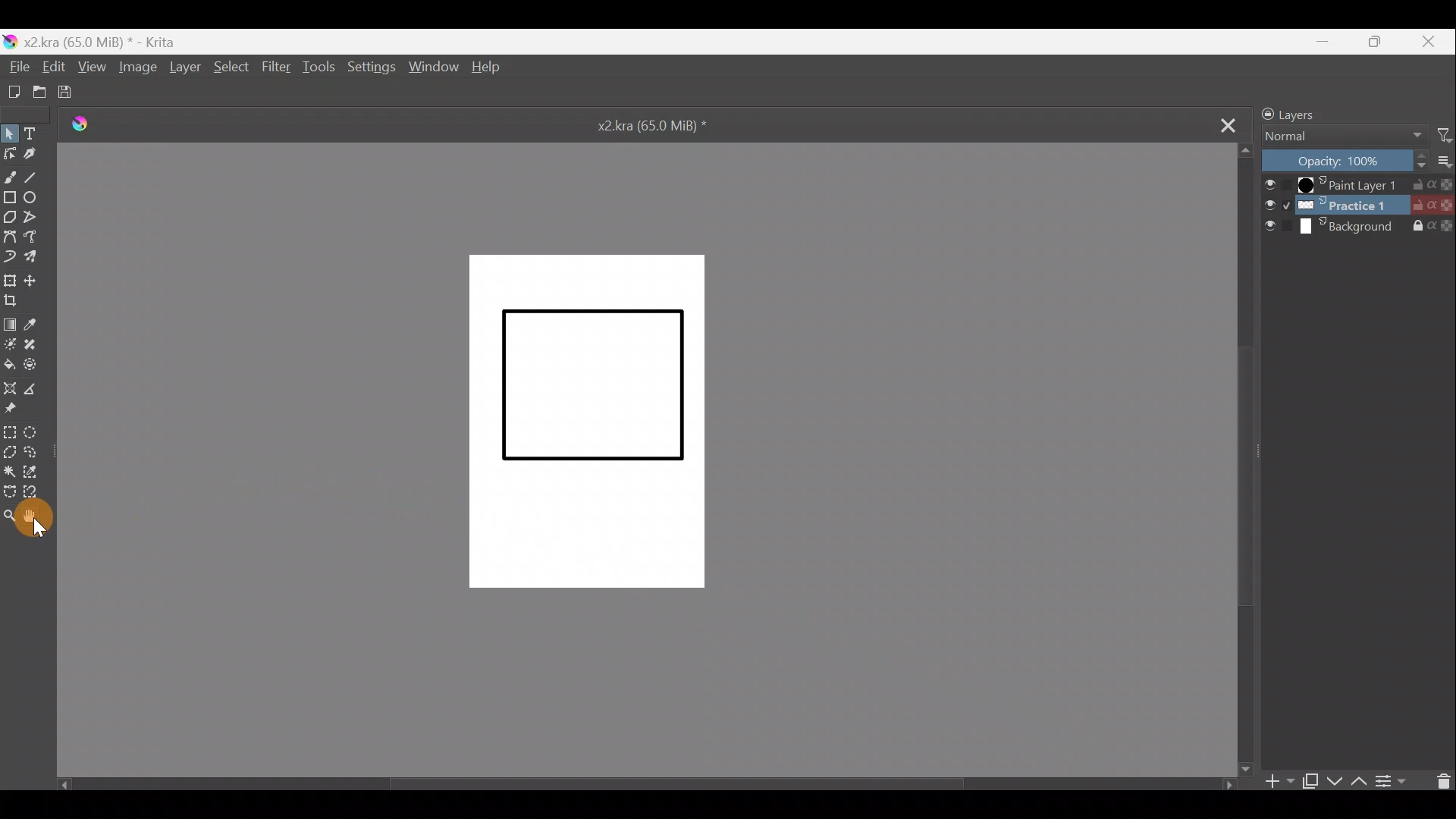  Describe the element at coordinates (34, 134) in the screenshot. I see `Text tool` at that location.